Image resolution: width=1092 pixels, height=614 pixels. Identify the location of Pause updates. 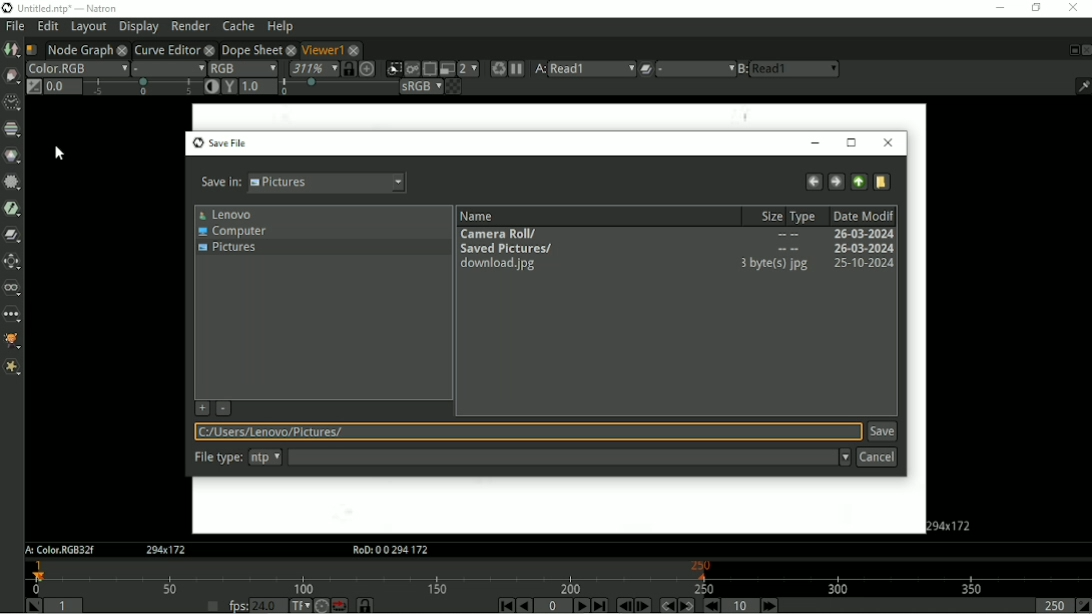
(515, 69).